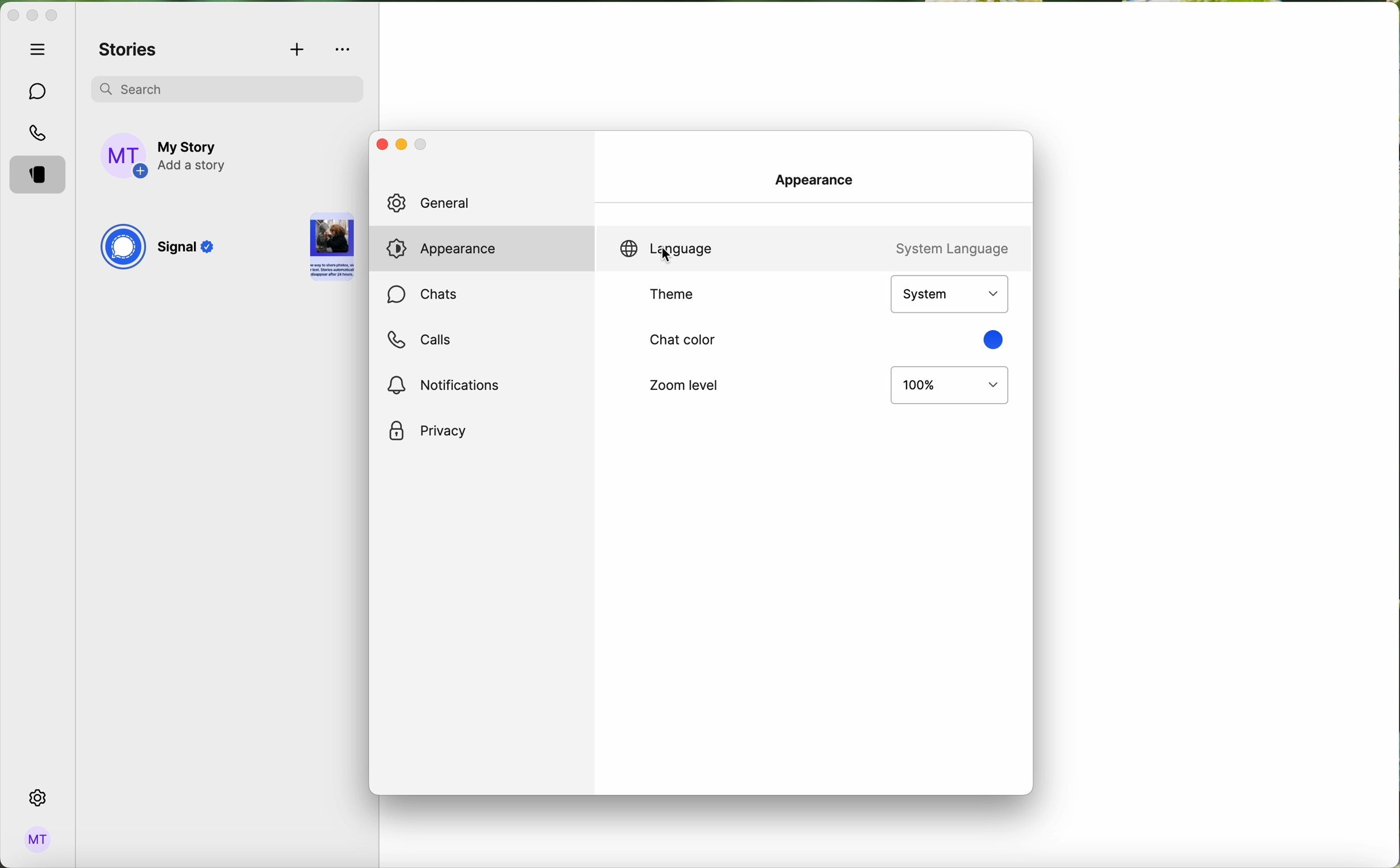 This screenshot has height=868, width=1400. I want to click on notifications, so click(448, 384).